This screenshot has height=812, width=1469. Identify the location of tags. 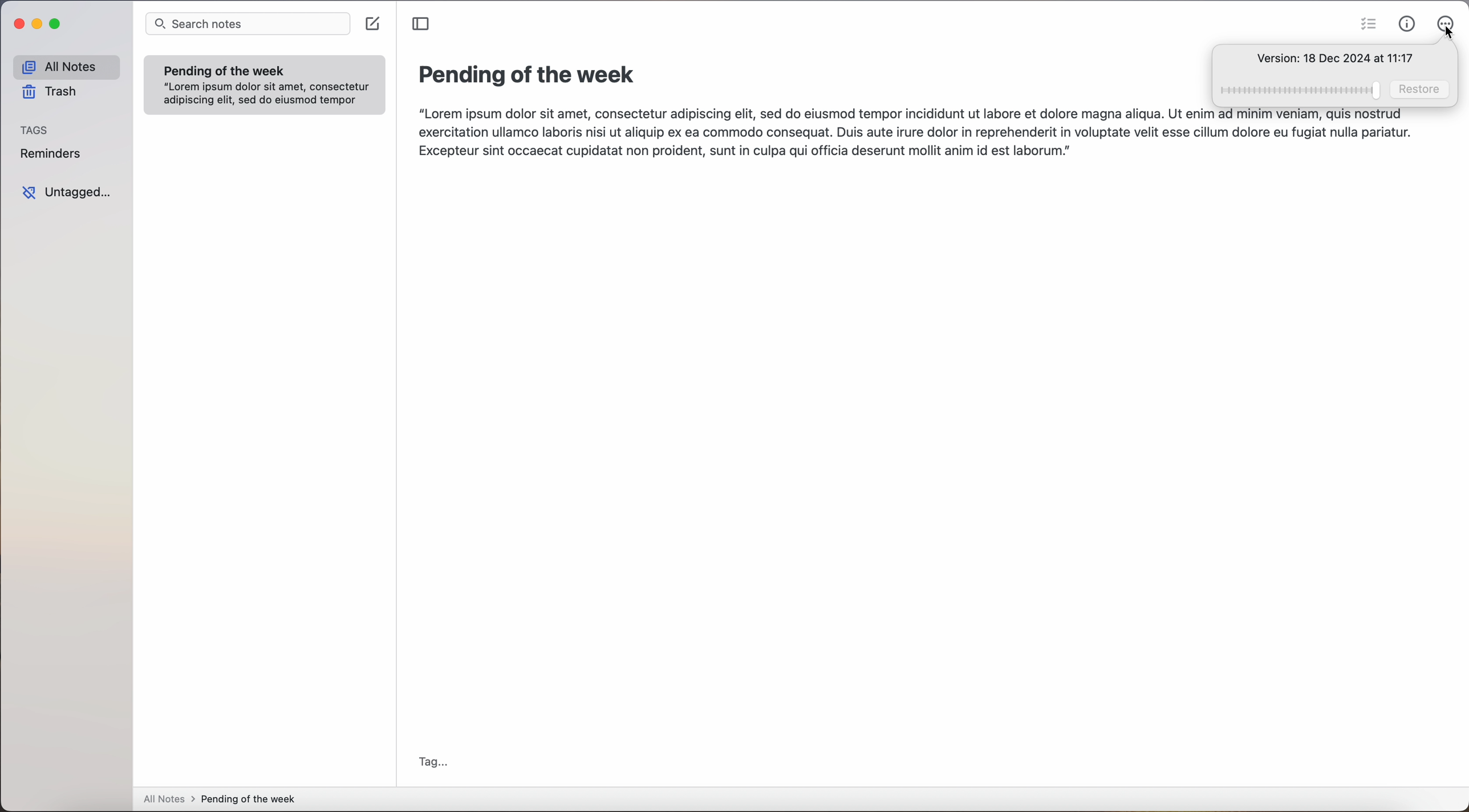
(36, 130).